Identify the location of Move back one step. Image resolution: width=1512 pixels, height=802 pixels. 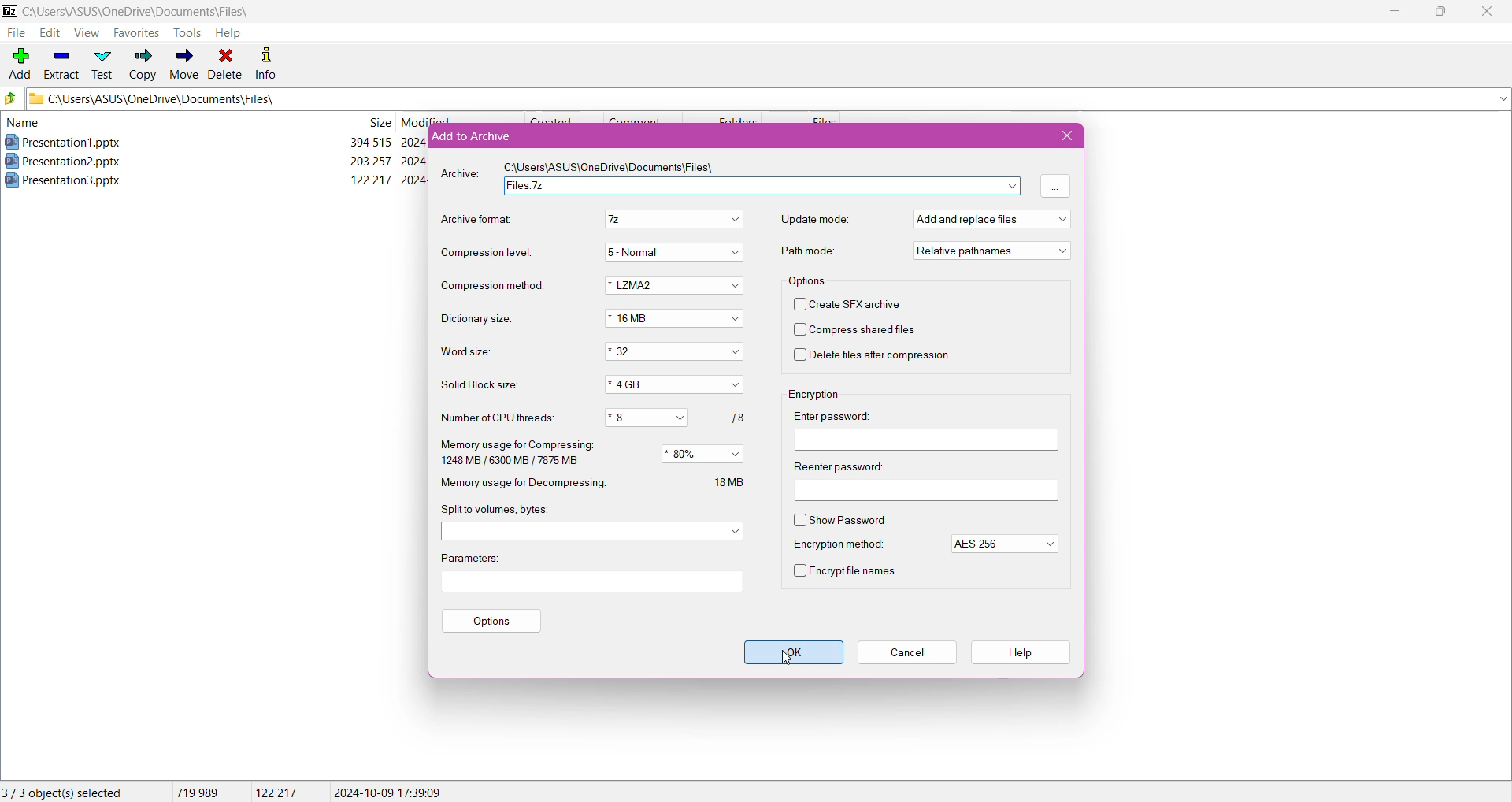
(11, 100).